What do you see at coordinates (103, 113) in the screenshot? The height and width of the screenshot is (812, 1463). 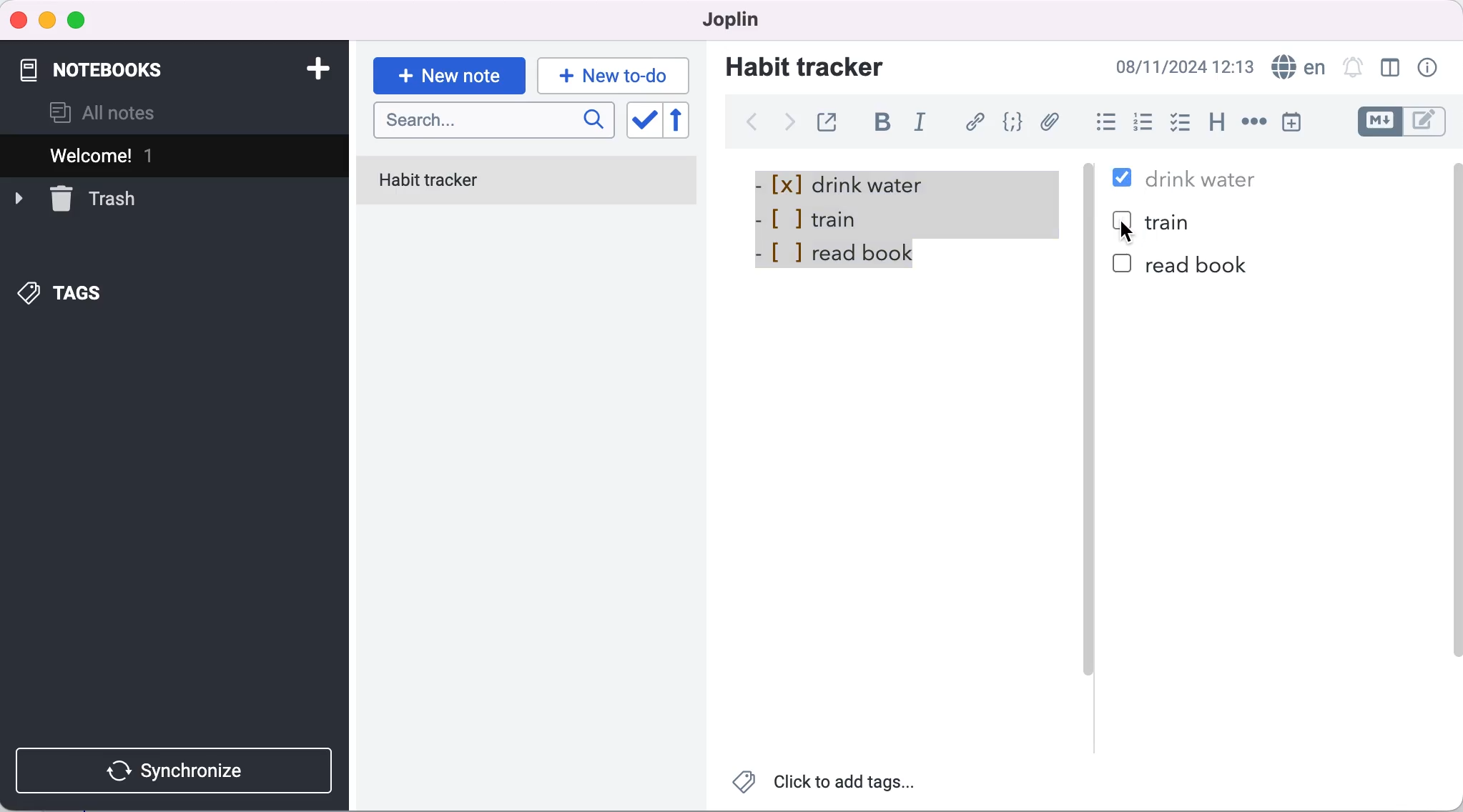 I see `all notes` at bounding box center [103, 113].